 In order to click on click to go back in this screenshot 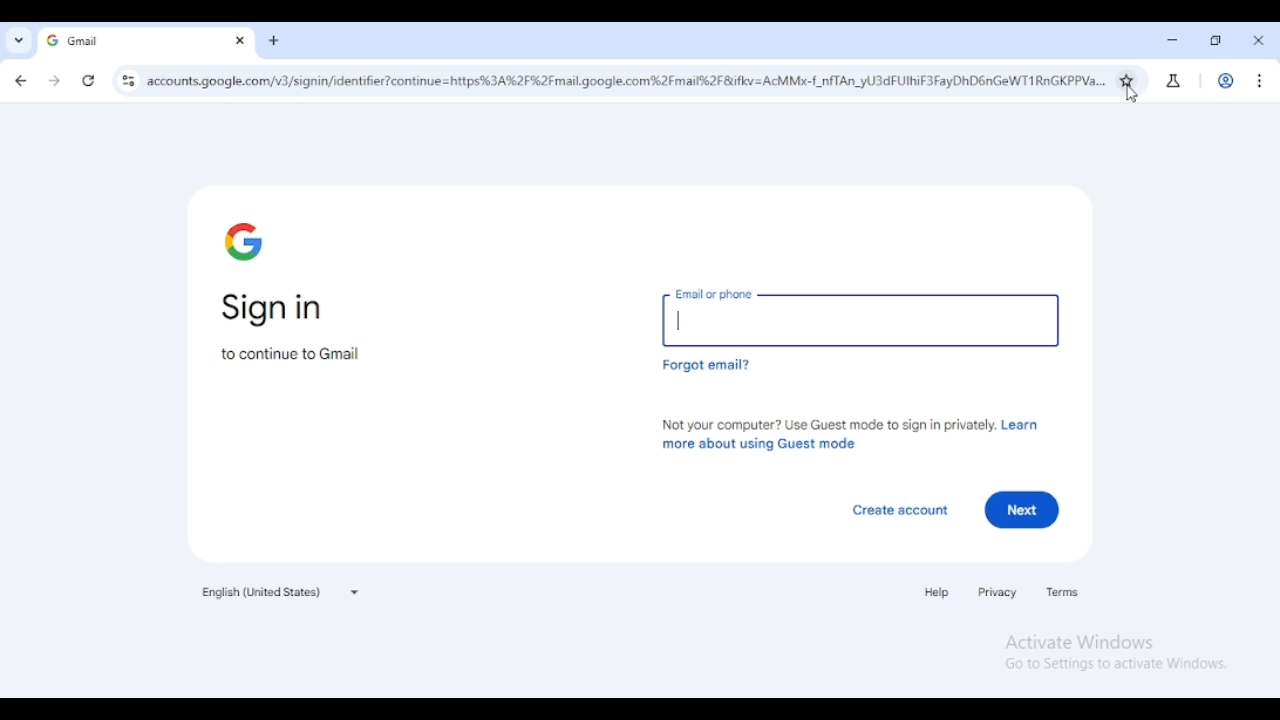, I will do `click(22, 82)`.